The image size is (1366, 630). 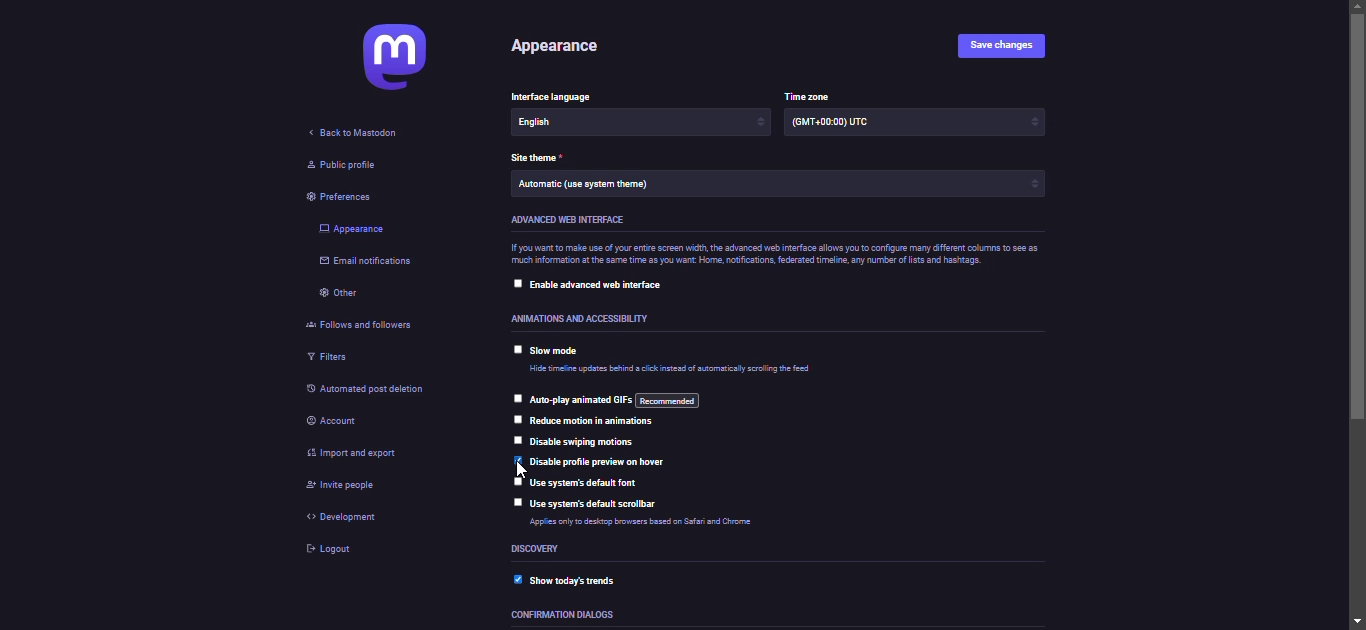 I want to click on automated post deletion, so click(x=376, y=388).